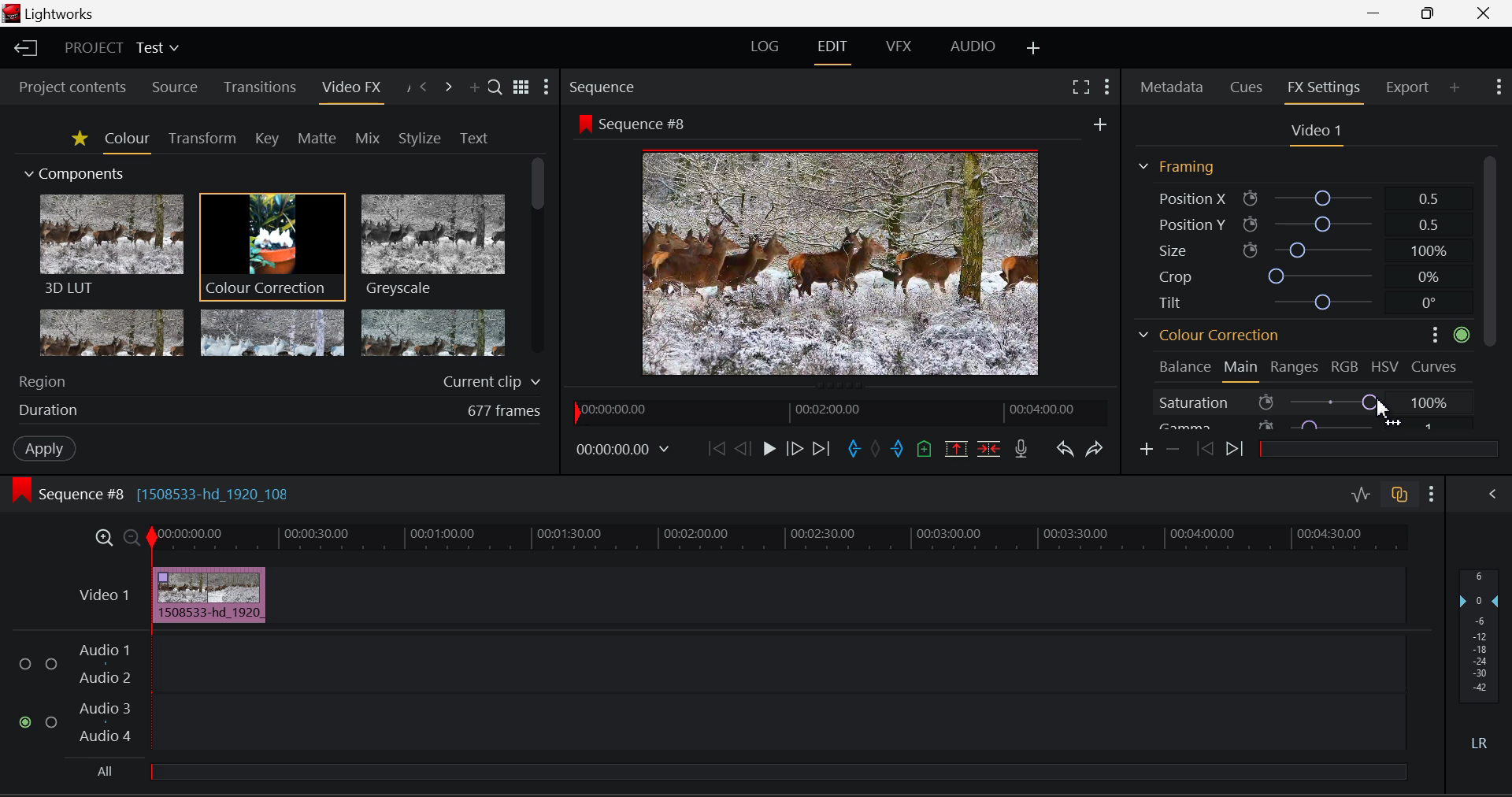 The width and height of the screenshot is (1512, 797). I want to click on add, so click(1100, 121).